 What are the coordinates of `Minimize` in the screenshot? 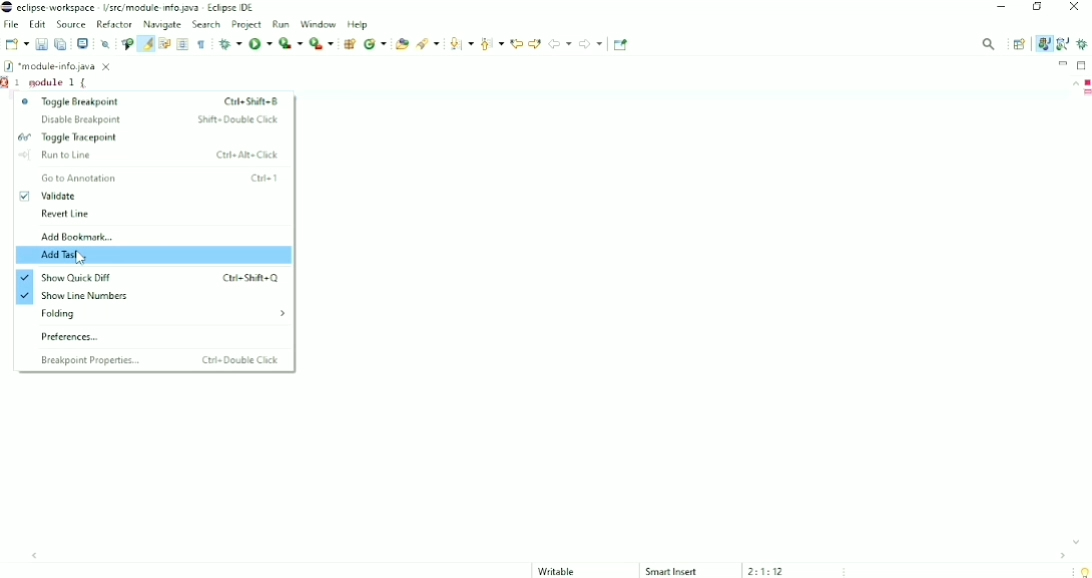 It's located at (1063, 63).